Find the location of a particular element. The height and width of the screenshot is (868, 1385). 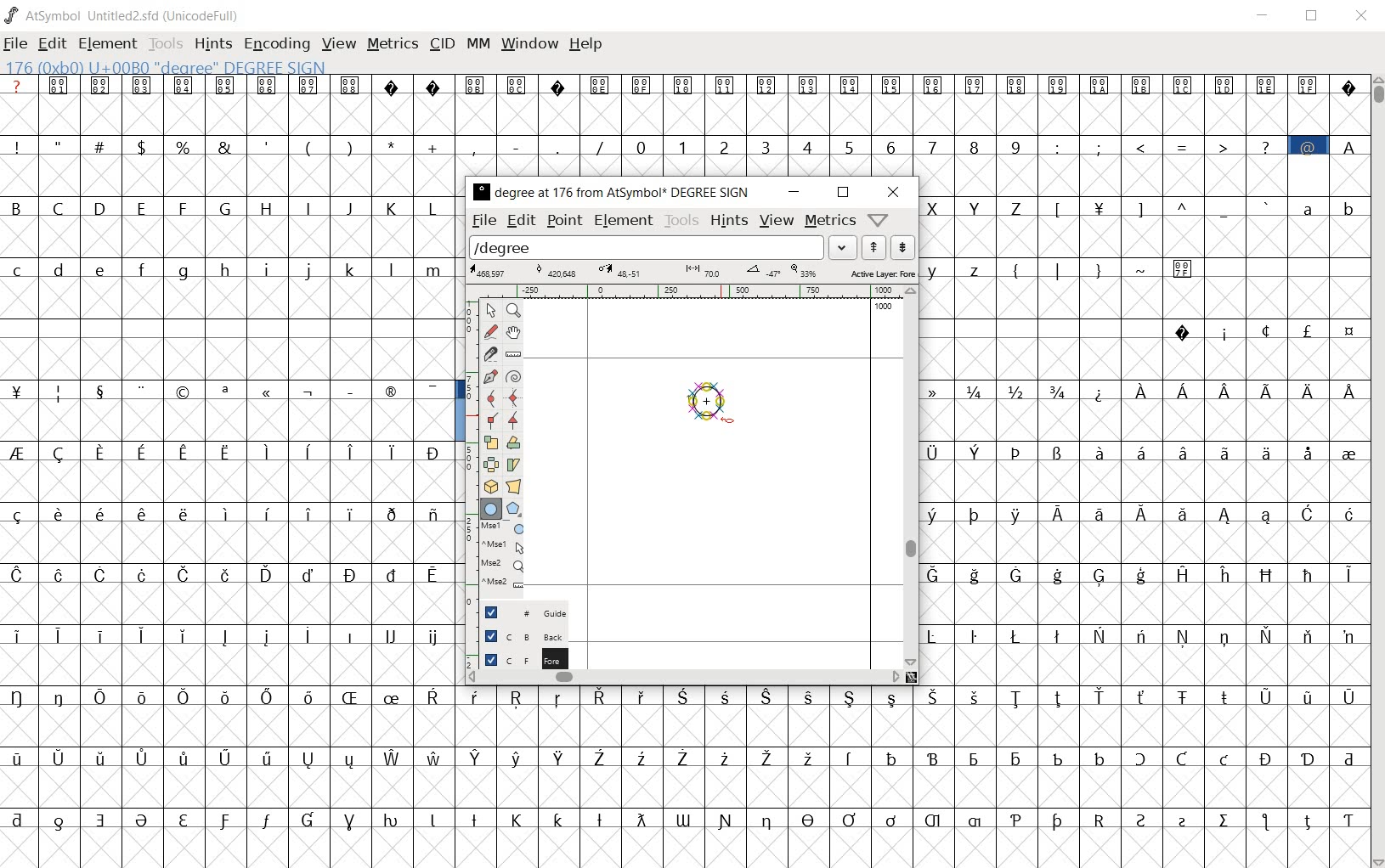

Add a corner point is located at coordinates (512, 420).